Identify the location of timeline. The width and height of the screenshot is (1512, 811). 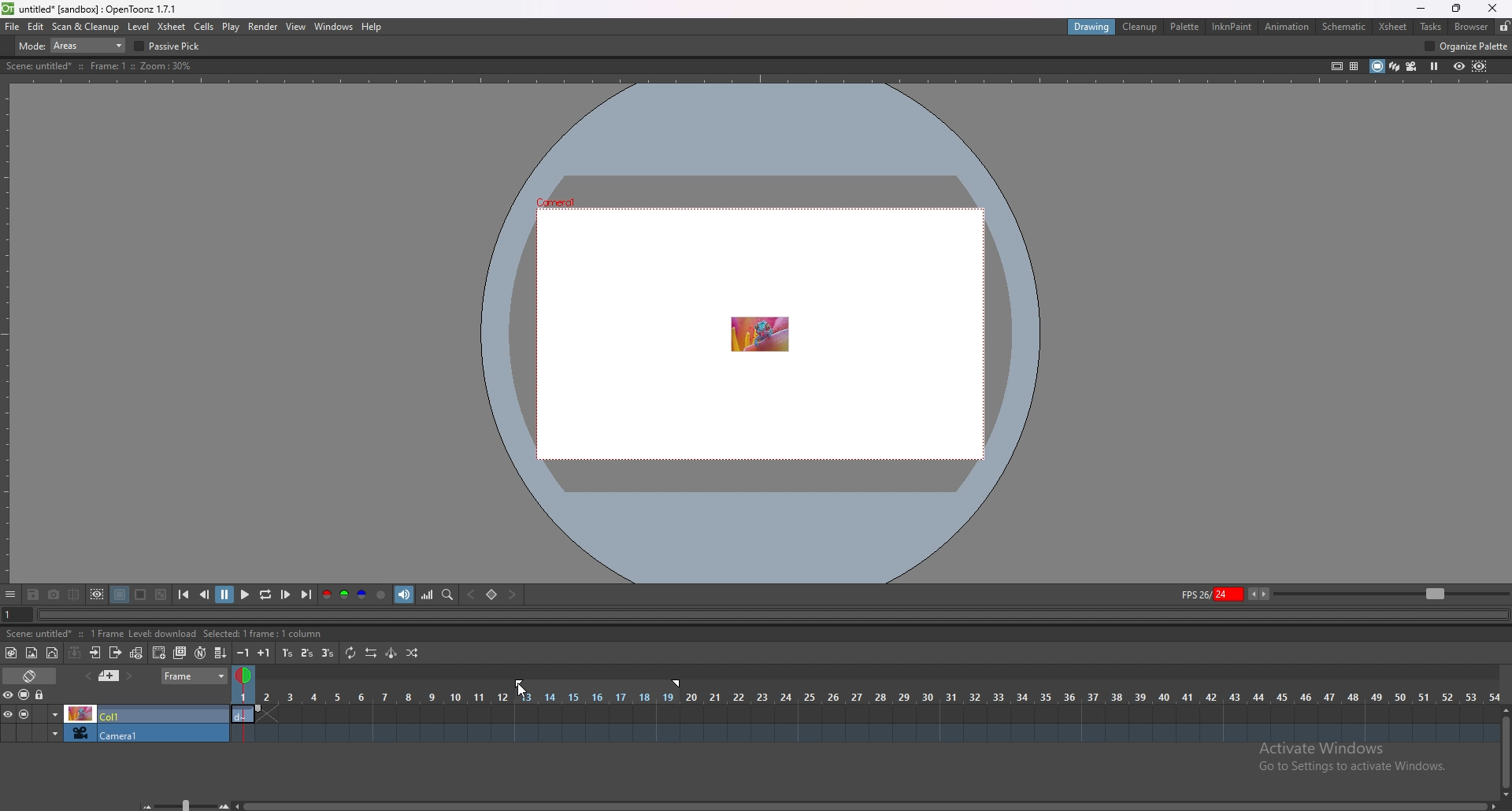
(865, 713).